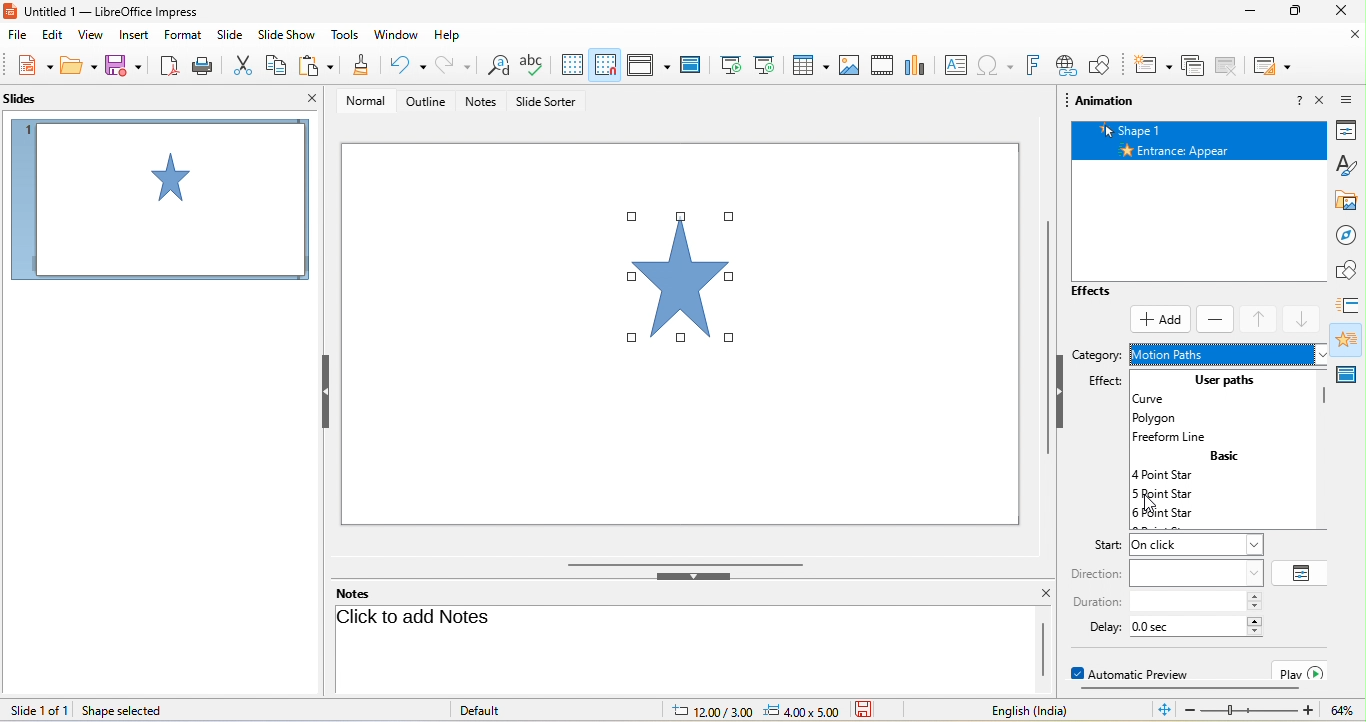 The image size is (1366, 722). Describe the element at coordinates (1255, 596) in the screenshot. I see `increase duration` at that location.